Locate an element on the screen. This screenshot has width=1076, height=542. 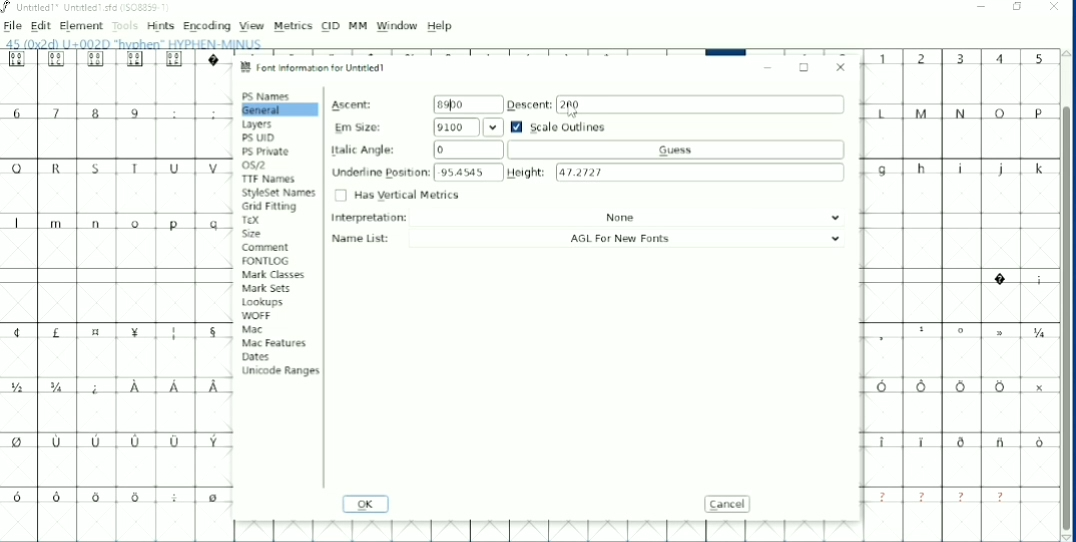
Has Vertical Metrics is located at coordinates (397, 195).